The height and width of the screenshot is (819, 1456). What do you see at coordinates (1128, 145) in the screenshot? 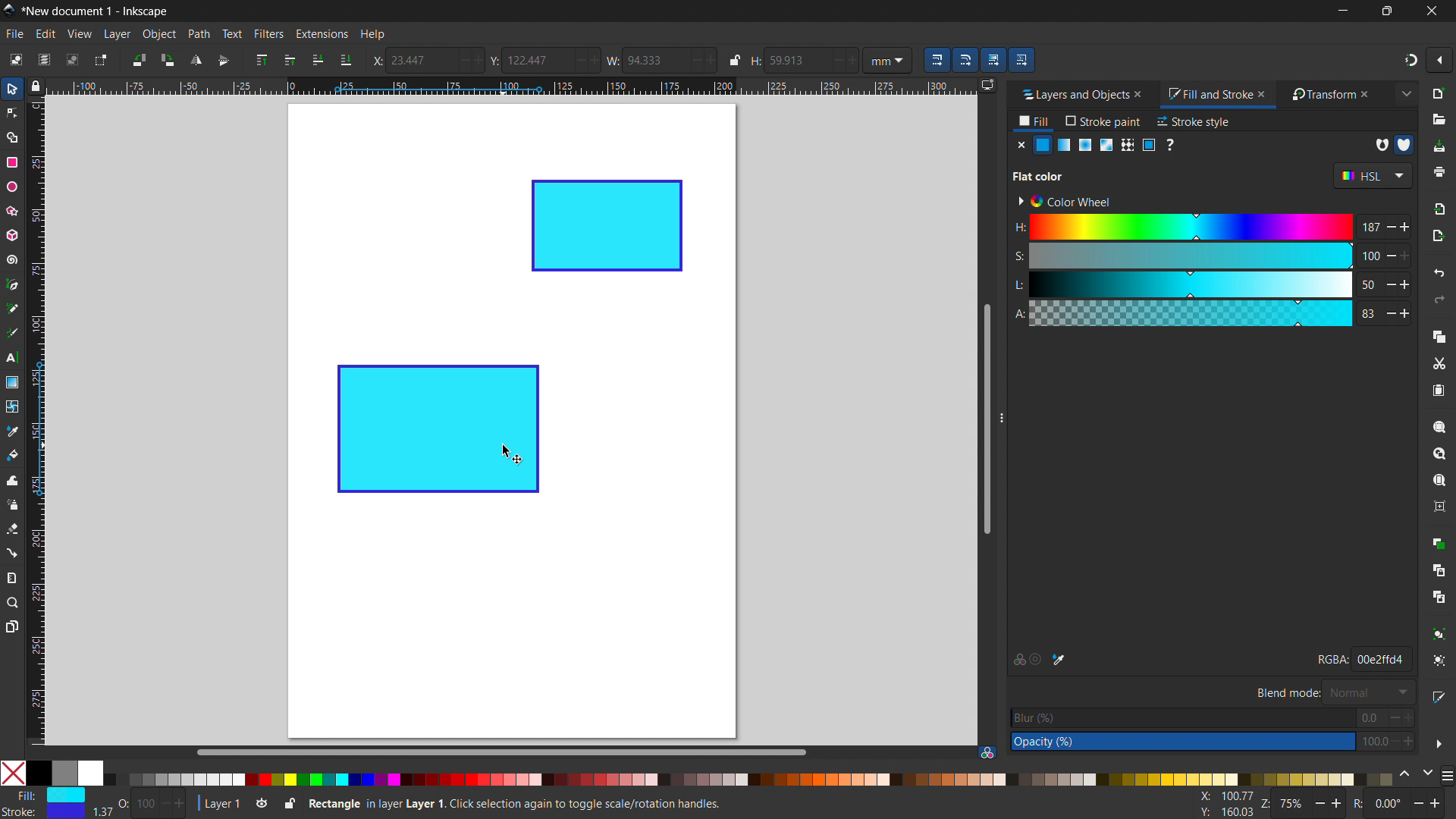
I see `pattern` at bounding box center [1128, 145].